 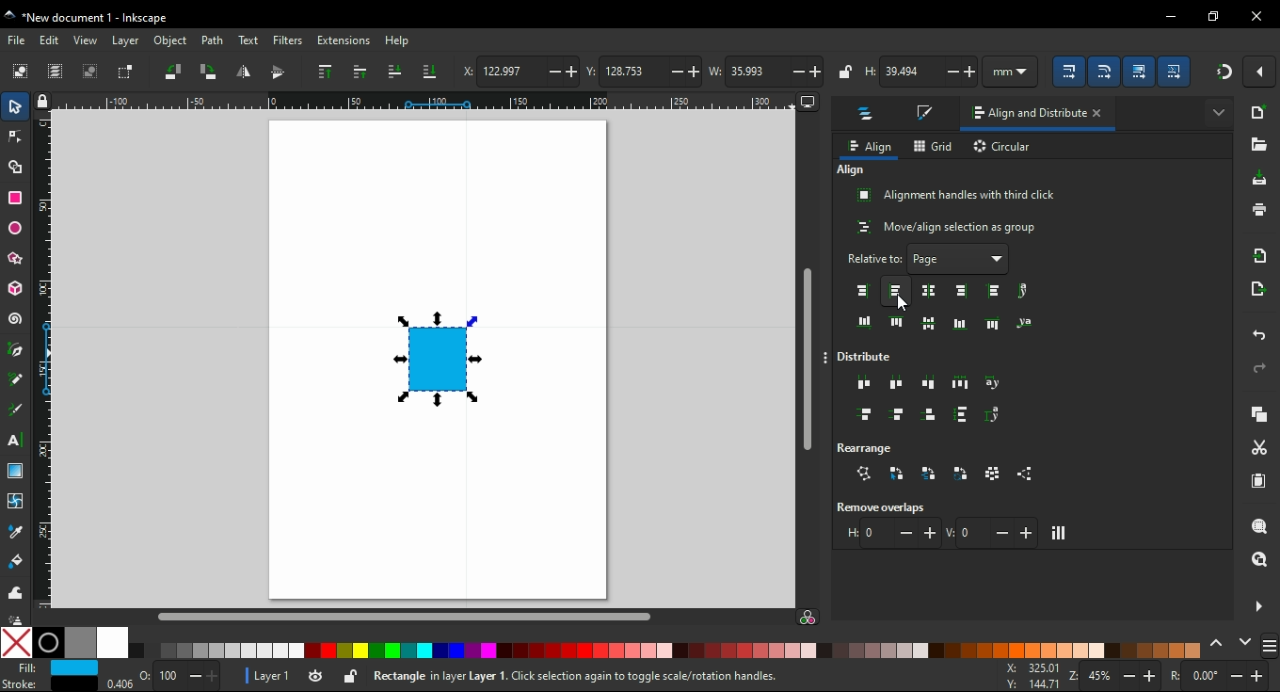 What do you see at coordinates (438, 356) in the screenshot?
I see `selected shape` at bounding box center [438, 356].